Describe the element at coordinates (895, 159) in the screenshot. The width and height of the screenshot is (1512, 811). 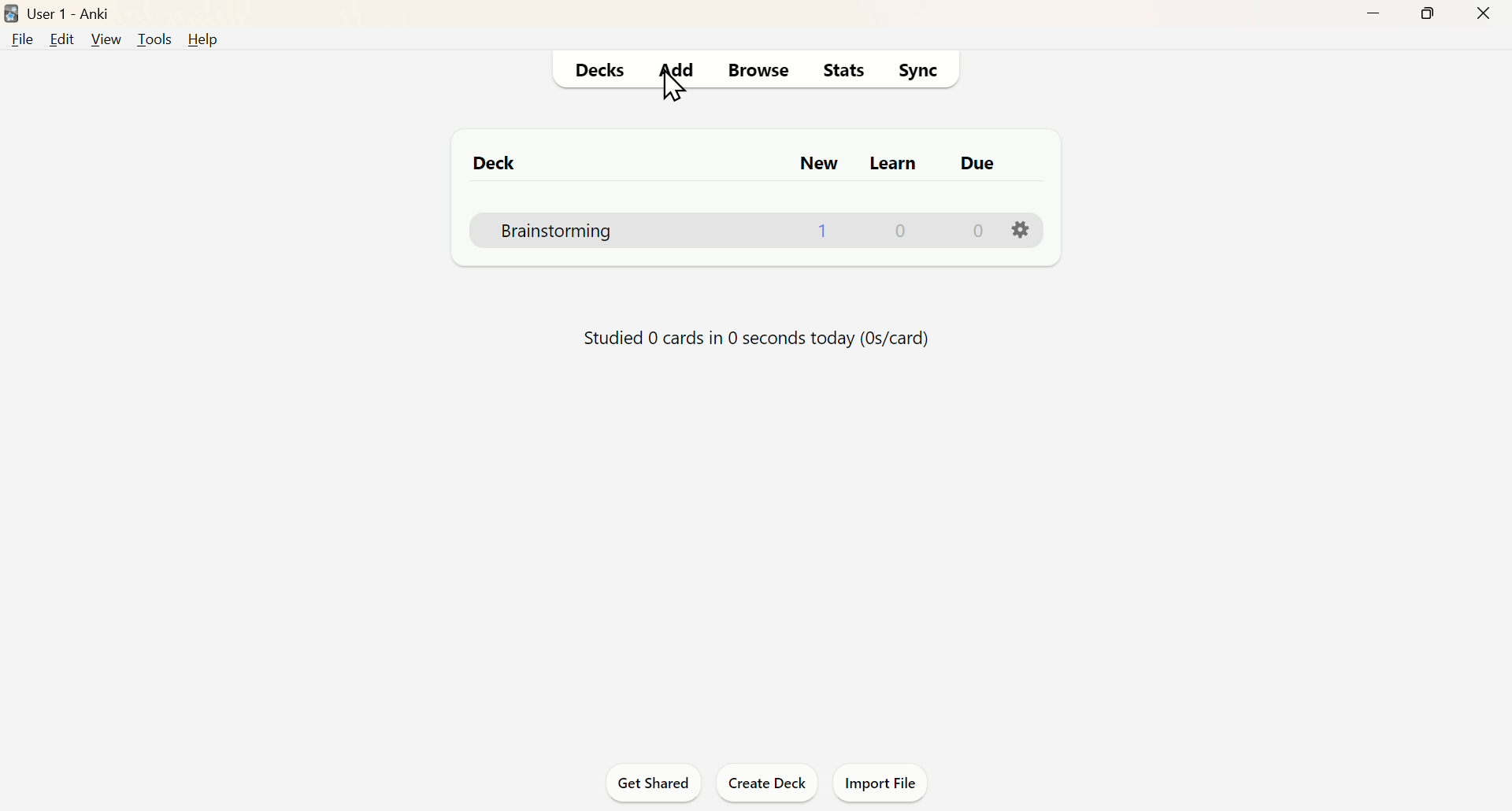
I see `Learn` at that location.